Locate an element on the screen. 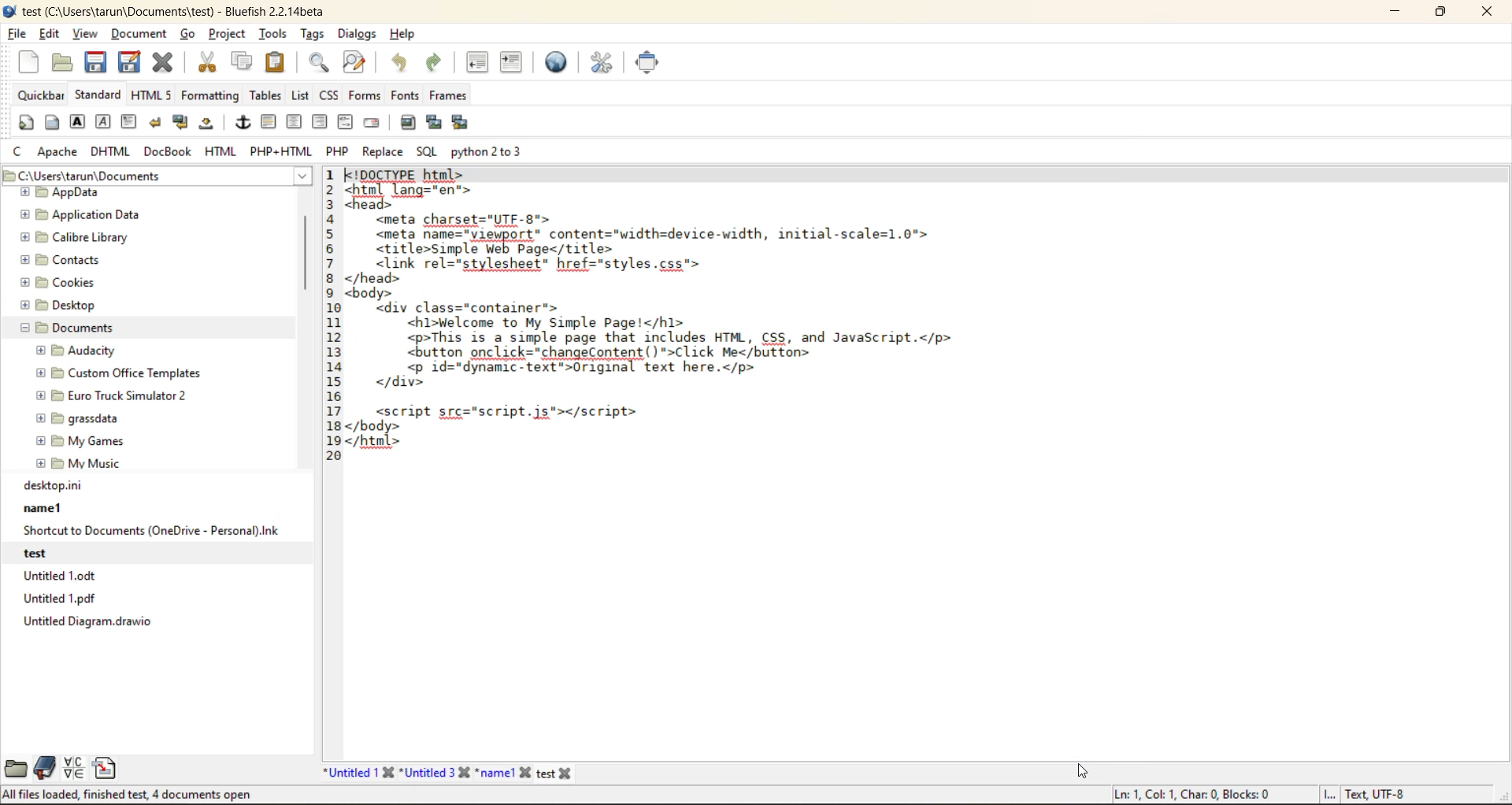 This screenshot has width=1512, height=805. close is located at coordinates (1492, 13).